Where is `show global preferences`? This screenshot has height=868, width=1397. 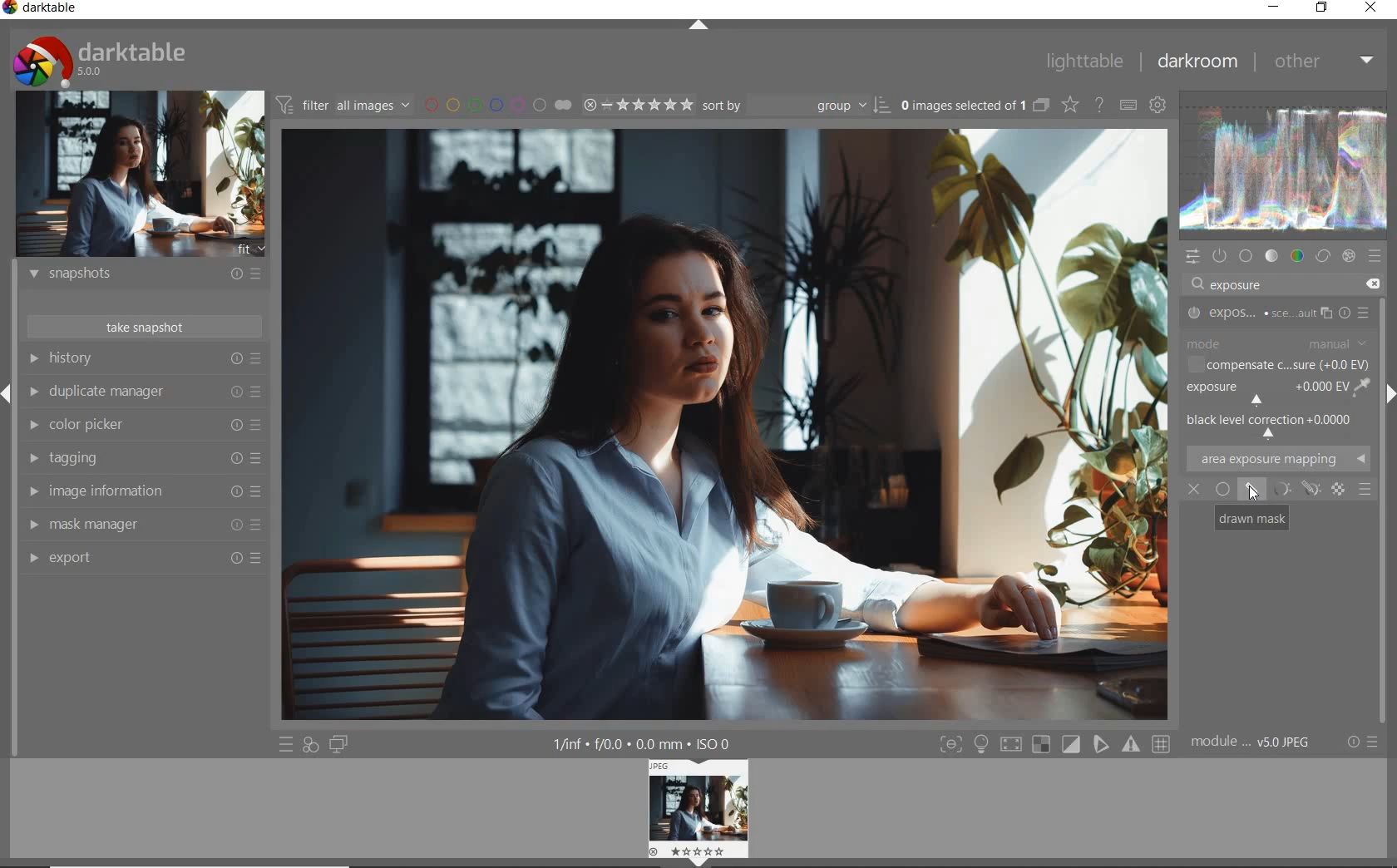
show global preferences is located at coordinates (1158, 104).